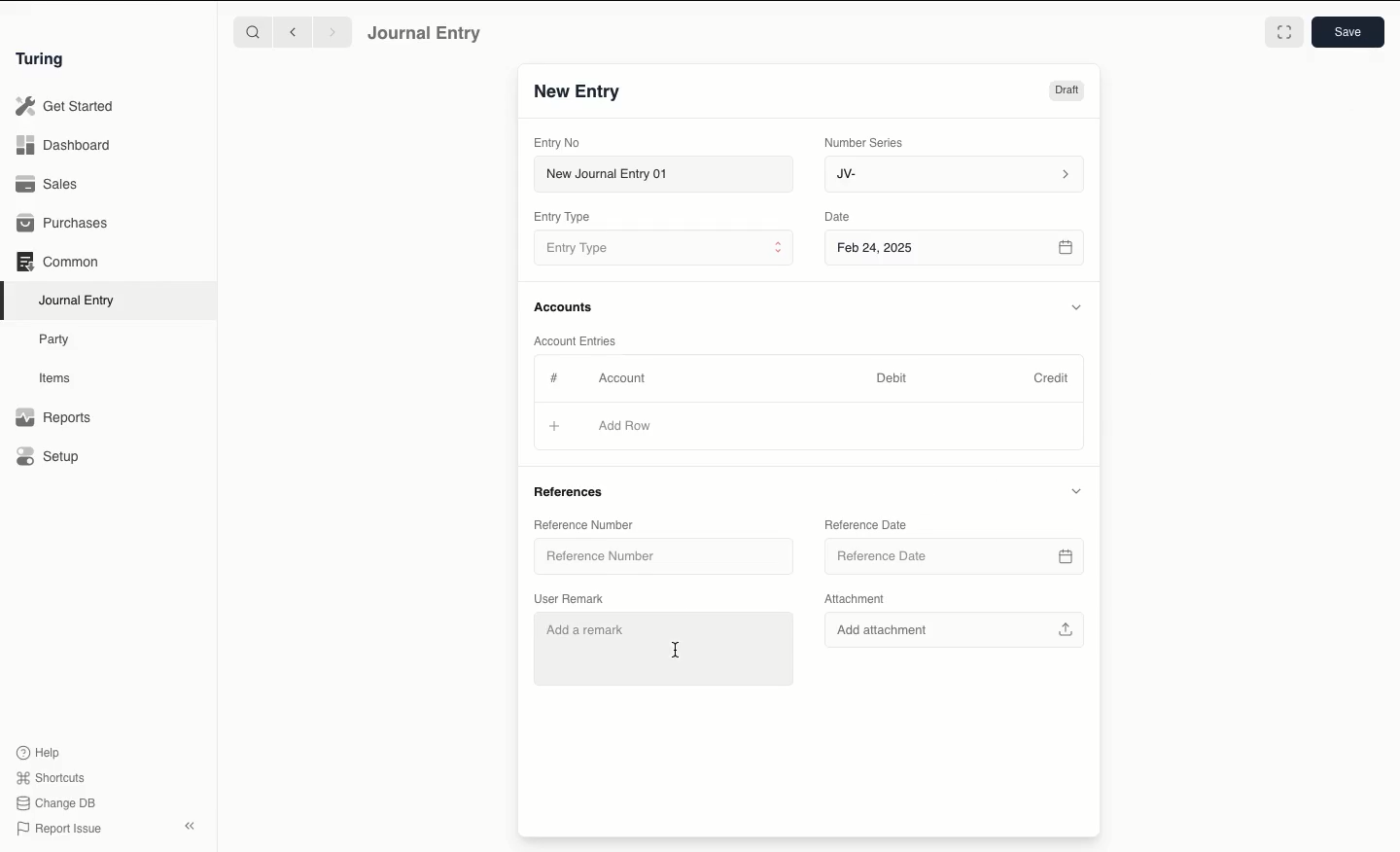 Image resolution: width=1400 pixels, height=852 pixels. Describe the element at coordinates (840, 216) in the screenshot. I see `Date` at that location.